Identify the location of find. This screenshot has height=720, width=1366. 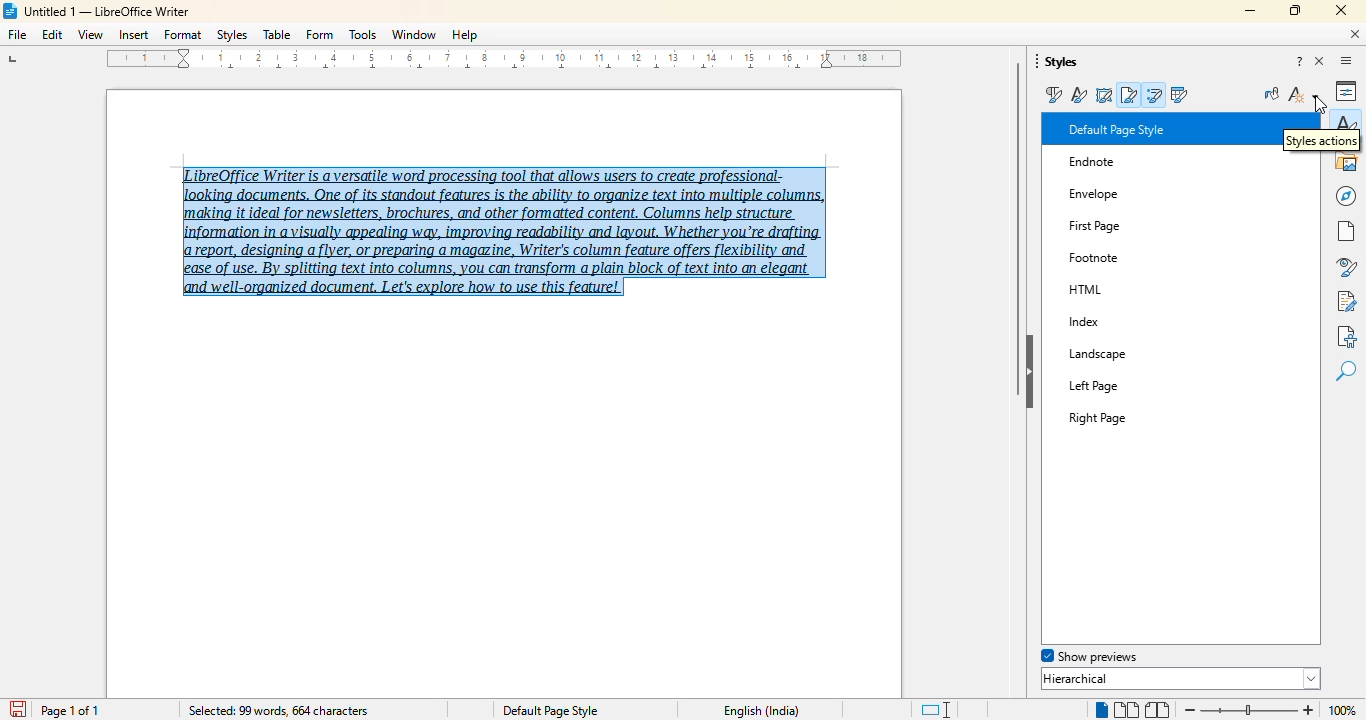
(1346, 372).